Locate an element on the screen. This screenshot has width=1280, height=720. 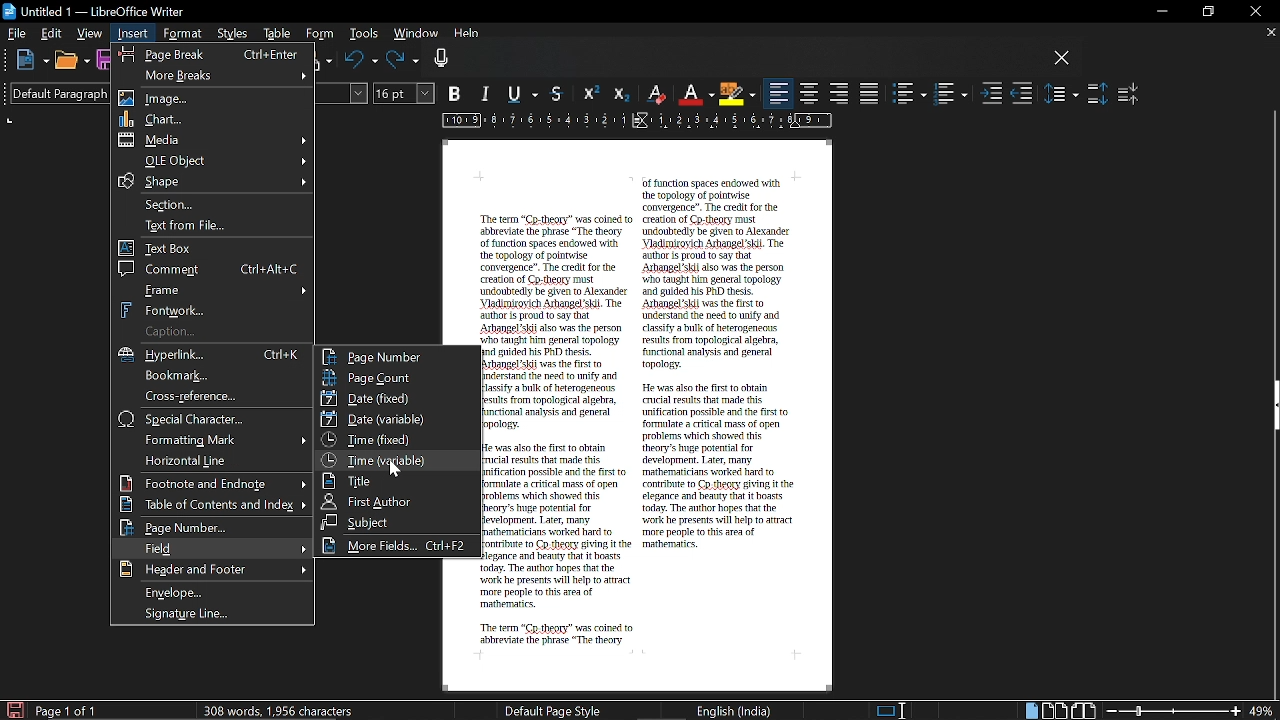
Shape is located at coordinates (211, 181).